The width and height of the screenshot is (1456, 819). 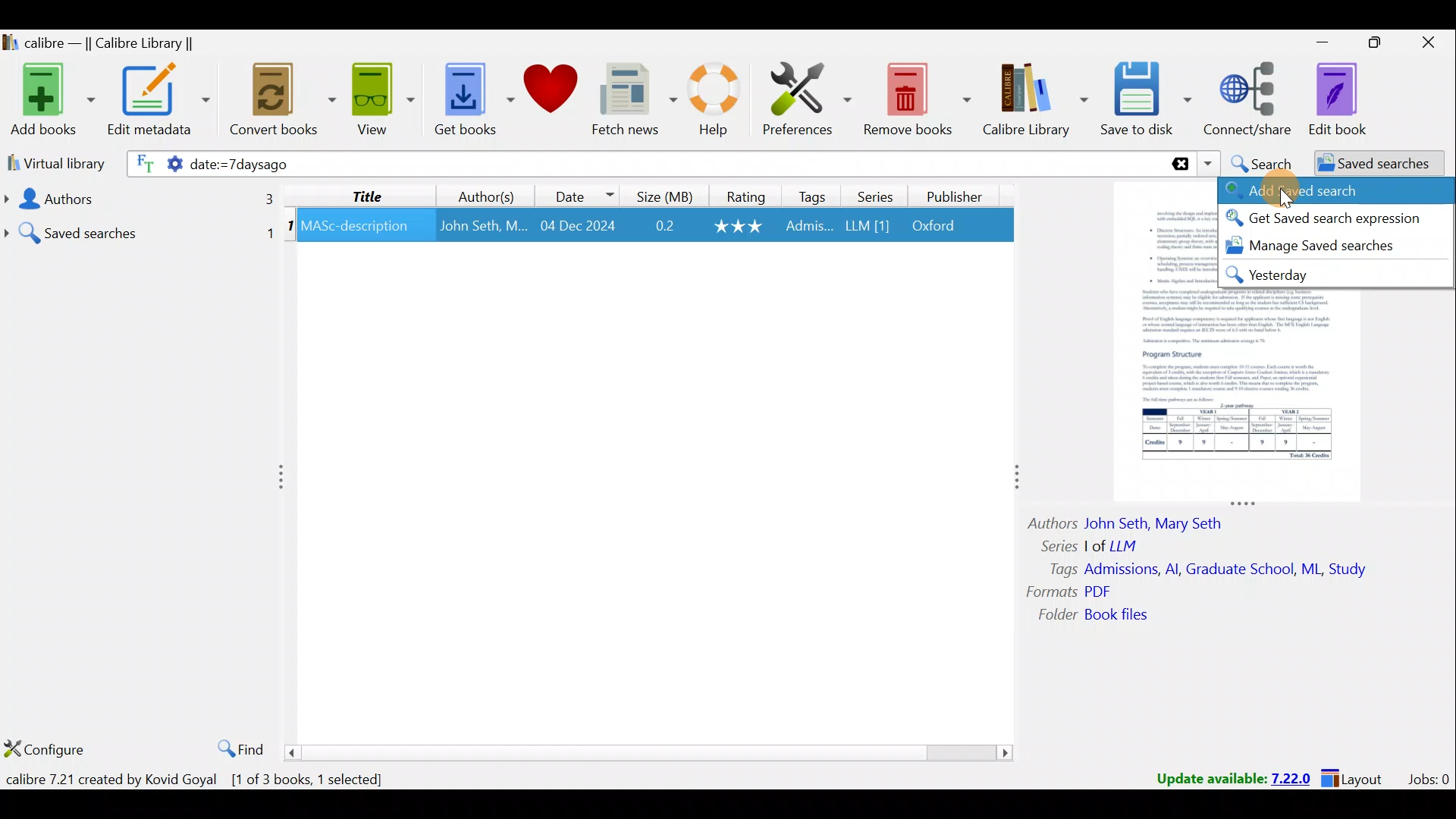 I want to click on Save to disk, so click(x=1148, y=101).